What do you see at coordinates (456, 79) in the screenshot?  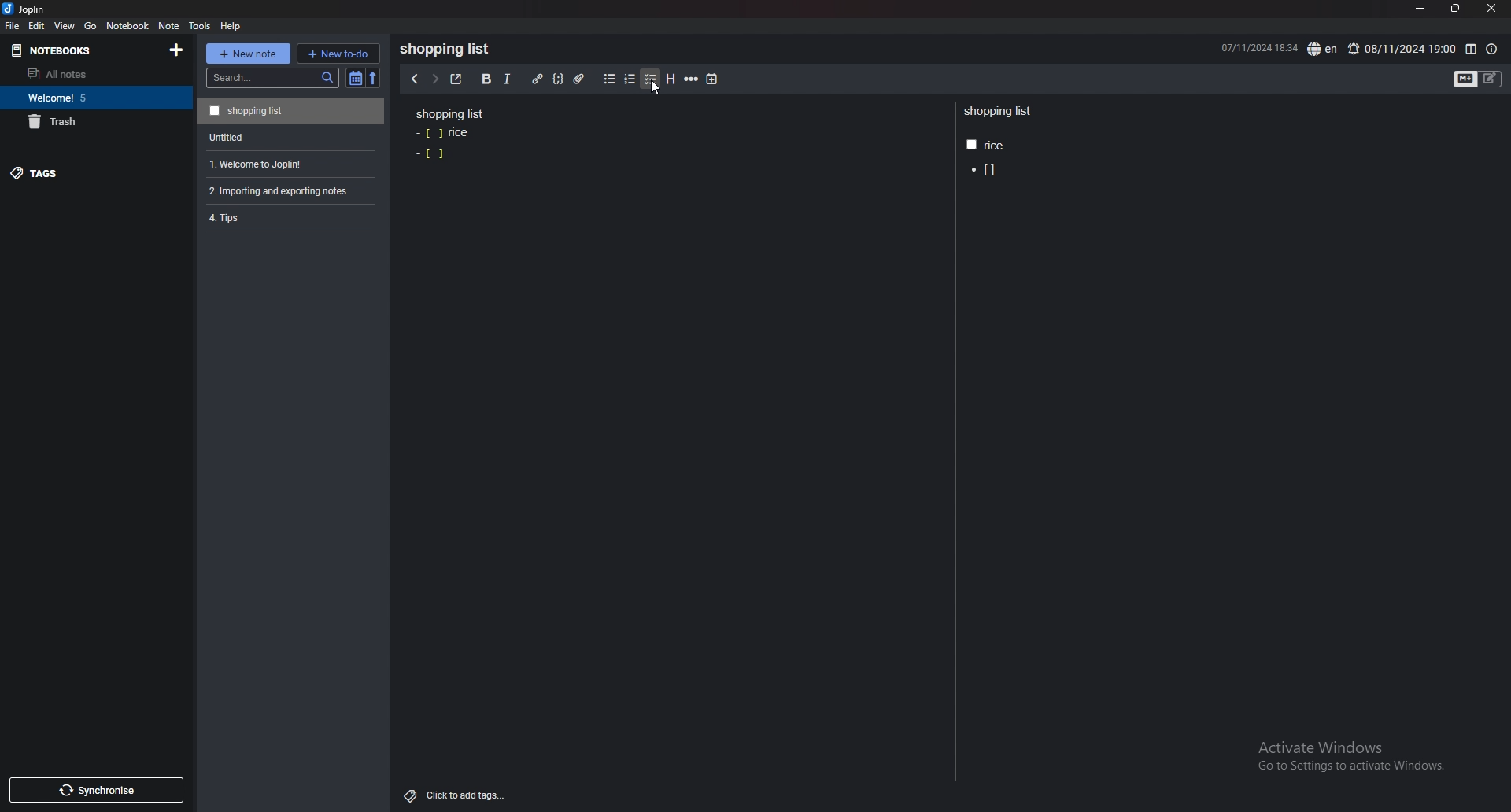 I see `toggle external editor` at bounding box center [456, 79].